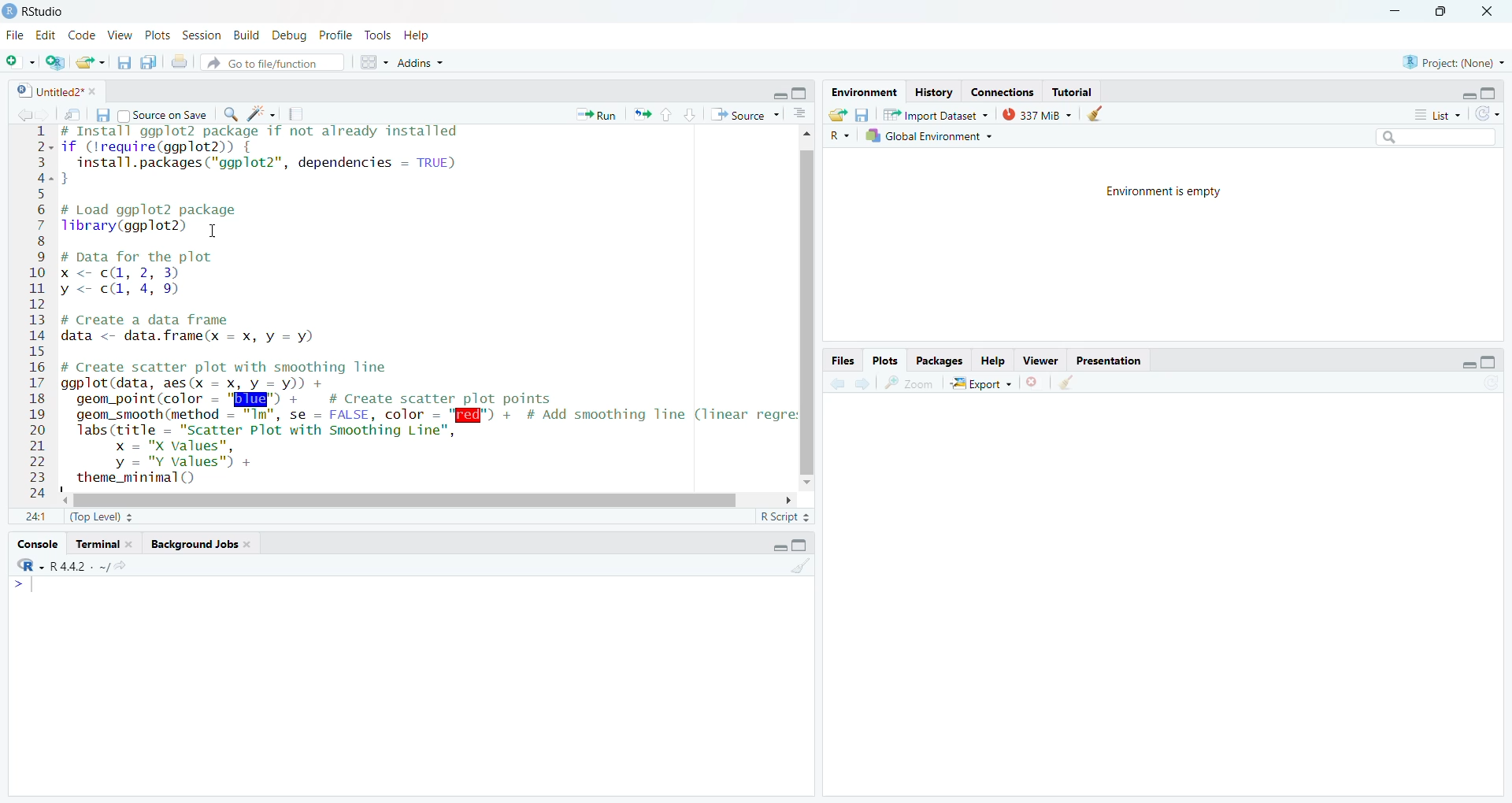 The image size is (1512, 803). What do you see at coordinates (1003, 92) in the screenshot?
I see `Connections` at bounding box center [1003, 92].